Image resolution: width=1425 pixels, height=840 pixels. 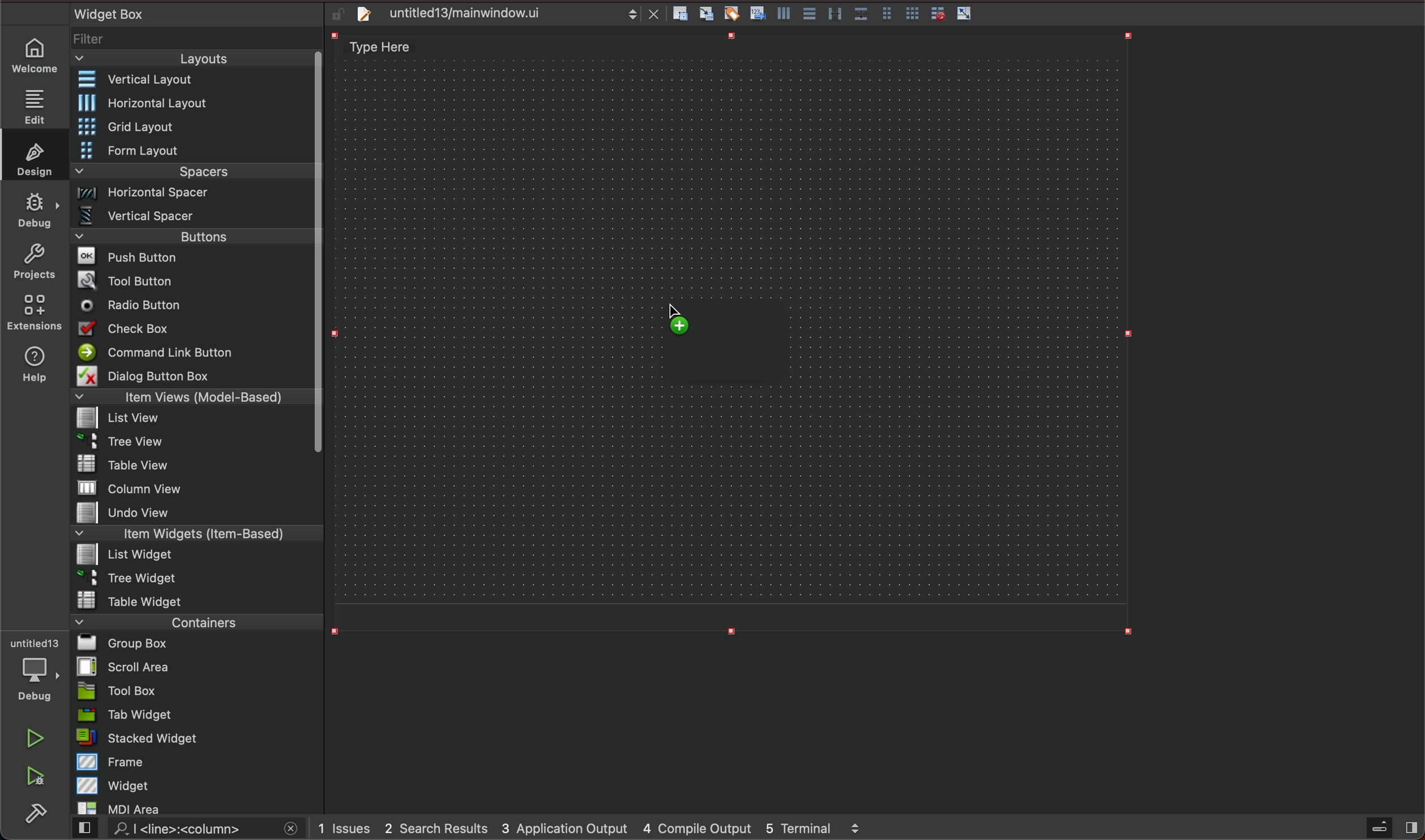 I want to click on frame, so click(x=196, y=762).